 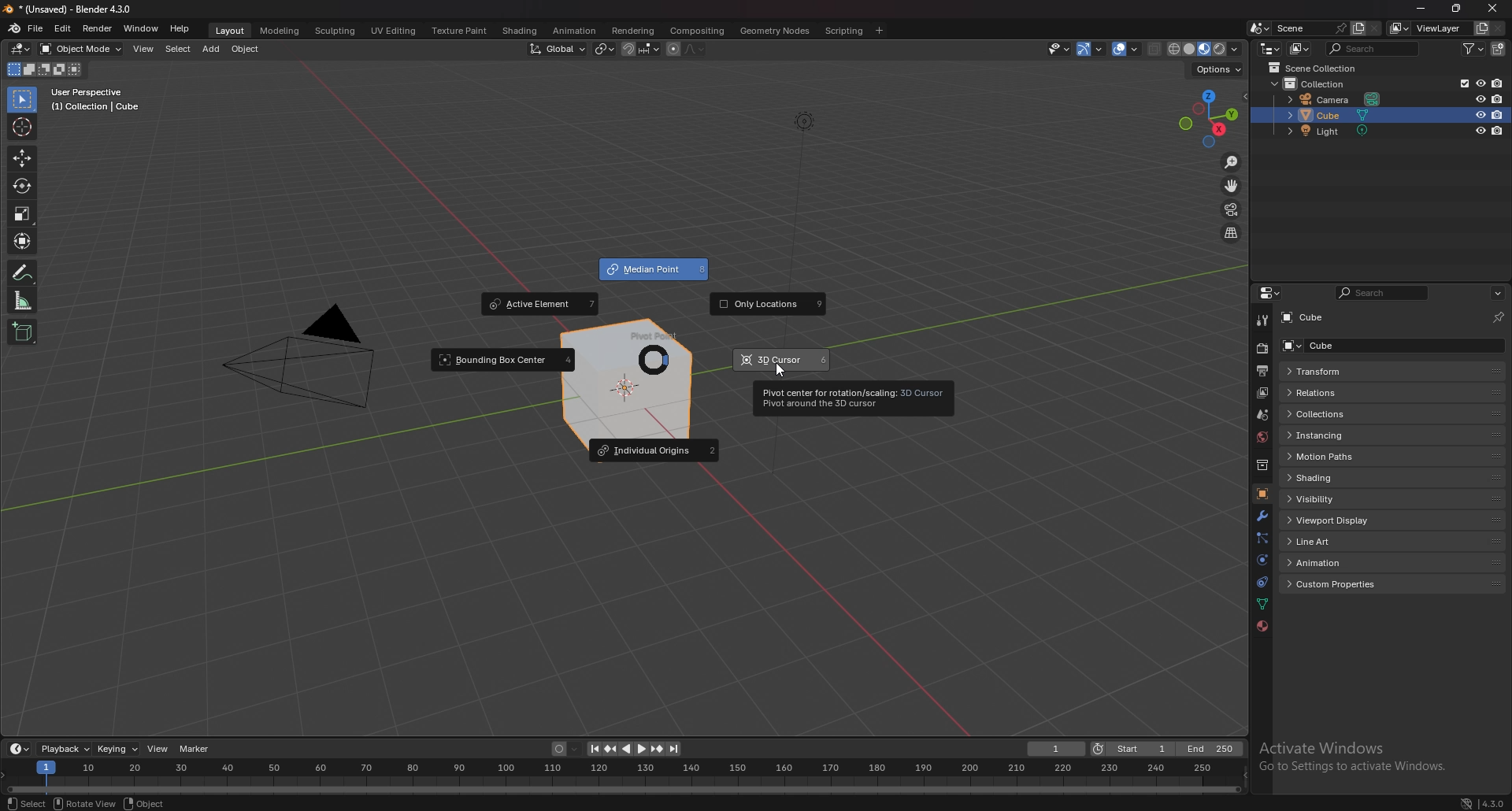 What do you see at coordinates (335, 30) in the screenshot?
I see `sculpting` at bounding box center [335, 30].